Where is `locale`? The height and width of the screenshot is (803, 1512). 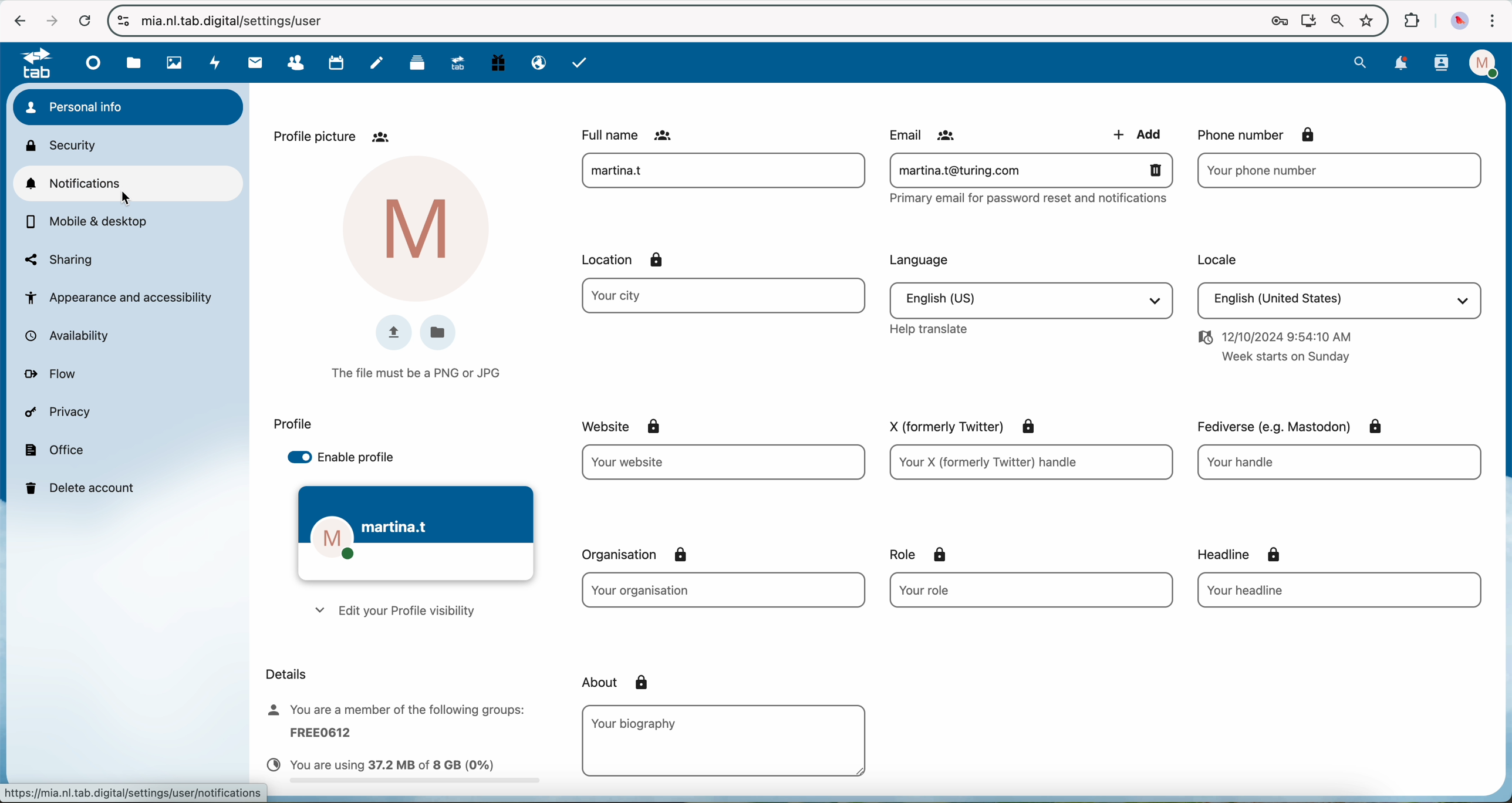
locale is located at coordinates (1219, 259).